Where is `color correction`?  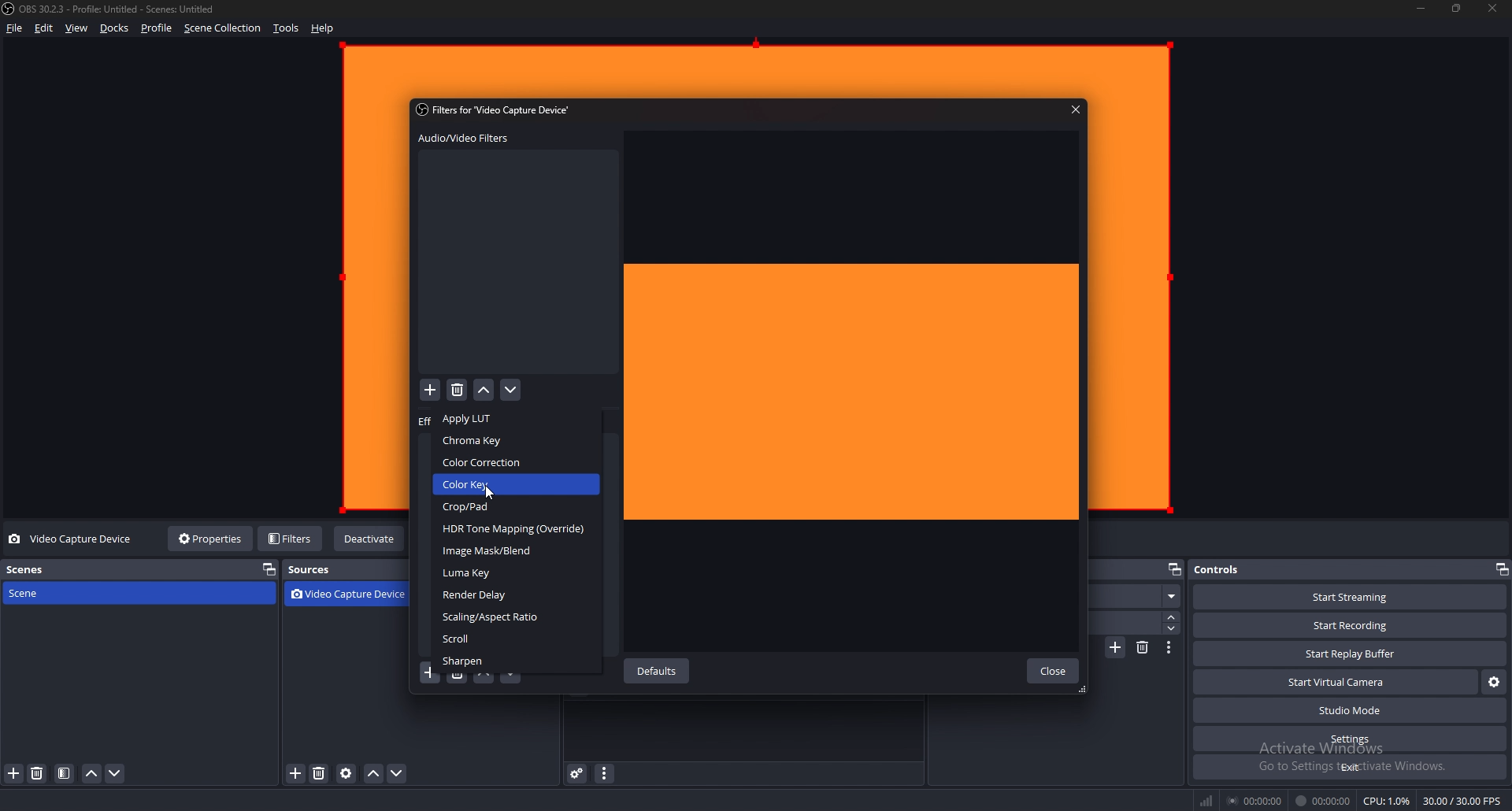 color correction is located at coordinates (516, 461).